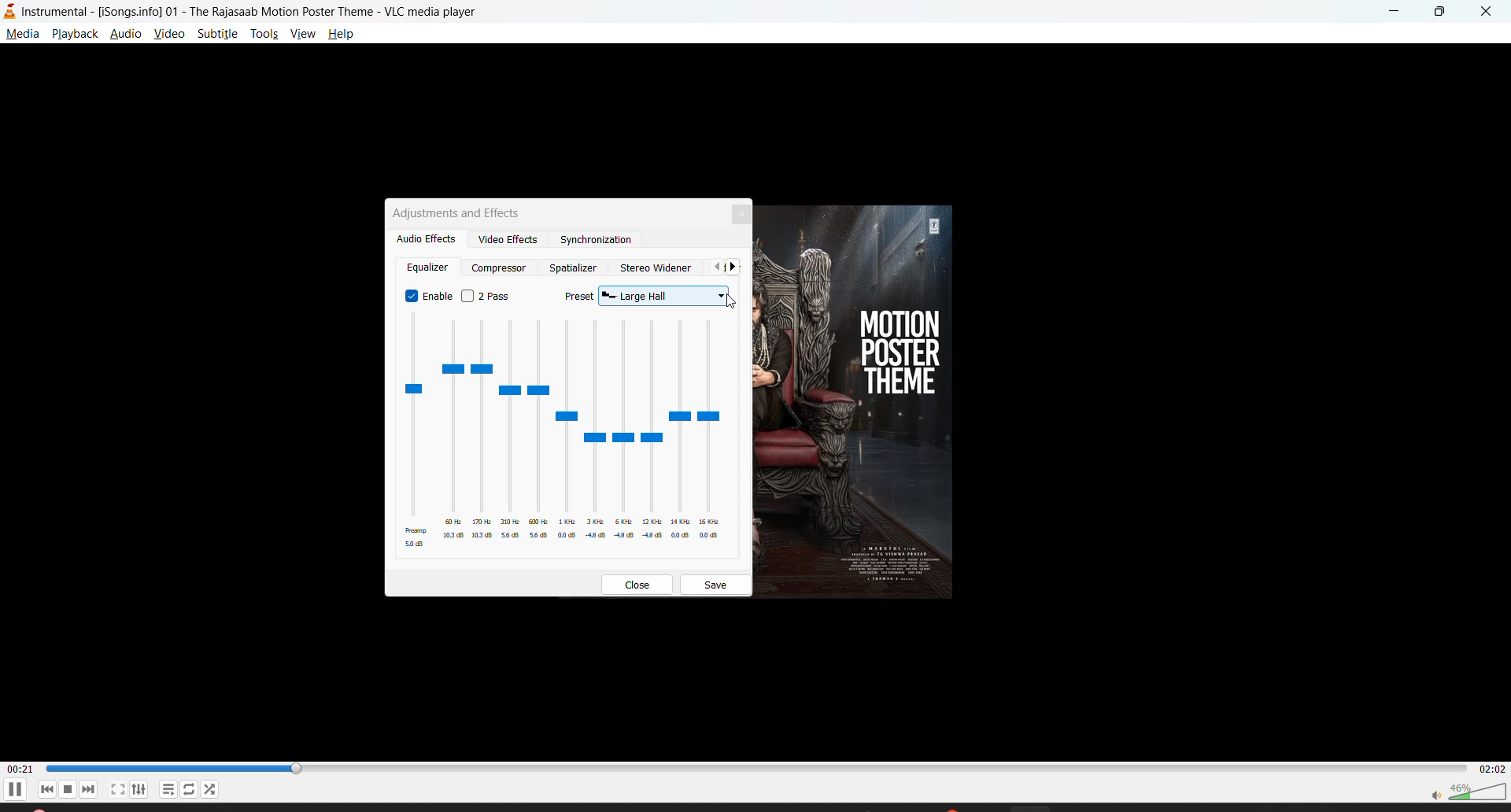 The image size is (1511, 812). What do you see at coordinates (144, 788) in the screenshot?
I see `settings` at bounding box center [144, 788].